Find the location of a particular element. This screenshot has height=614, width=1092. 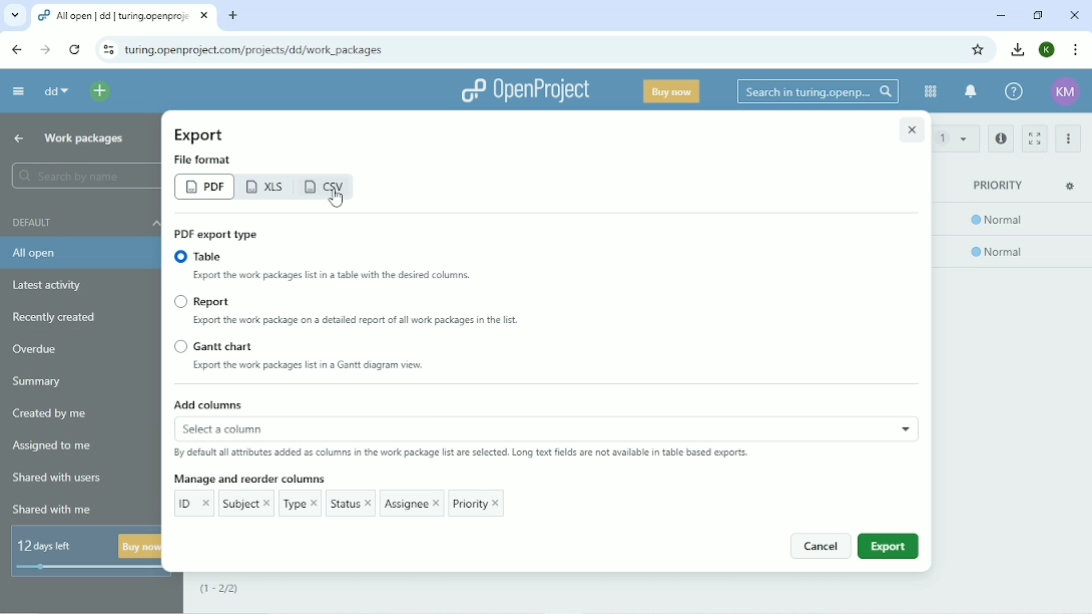

Open quick add menu is located at coordinates (100, 91).